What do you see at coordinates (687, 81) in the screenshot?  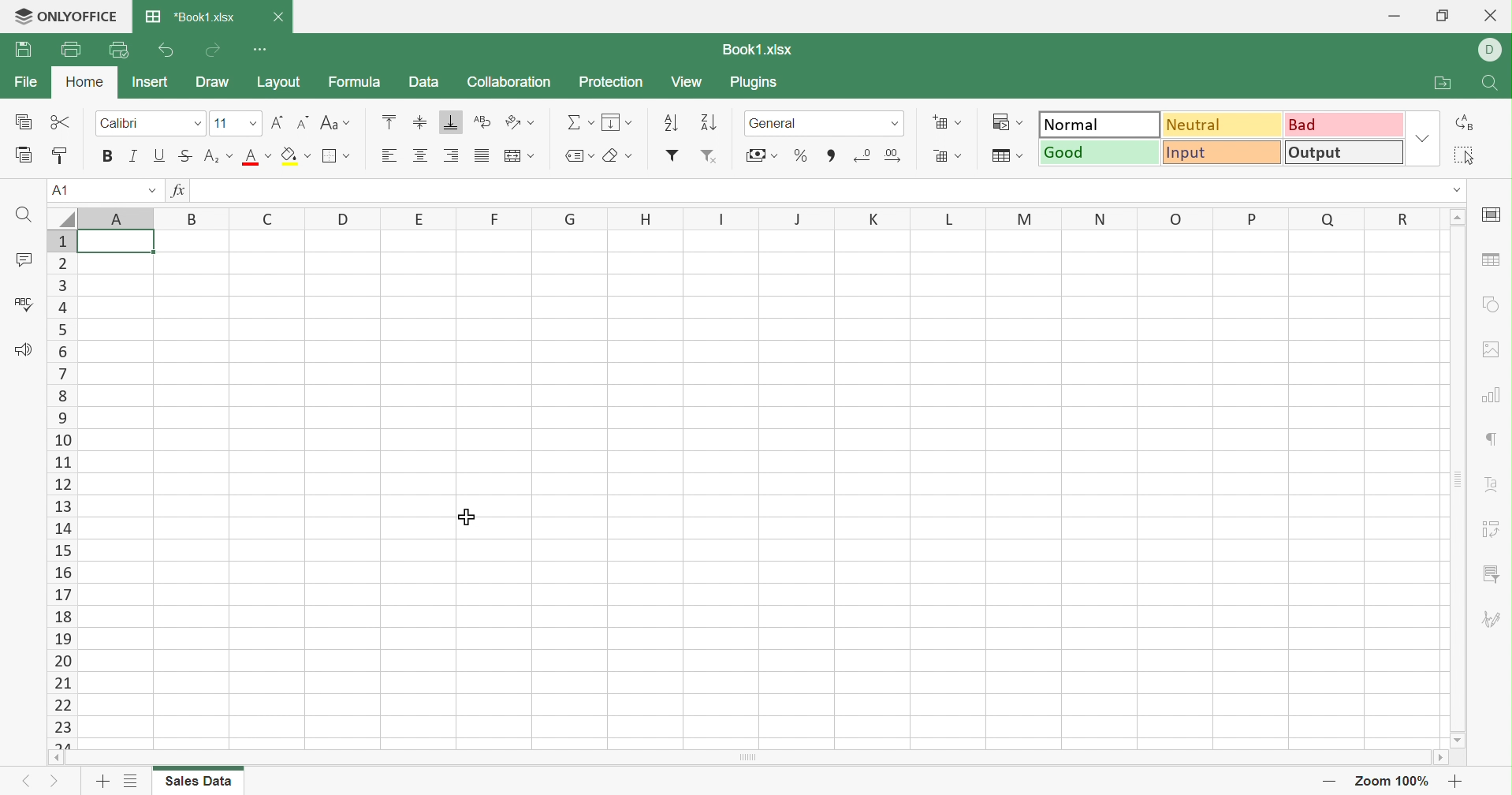 I see `View` at bounding box center [687, 81].